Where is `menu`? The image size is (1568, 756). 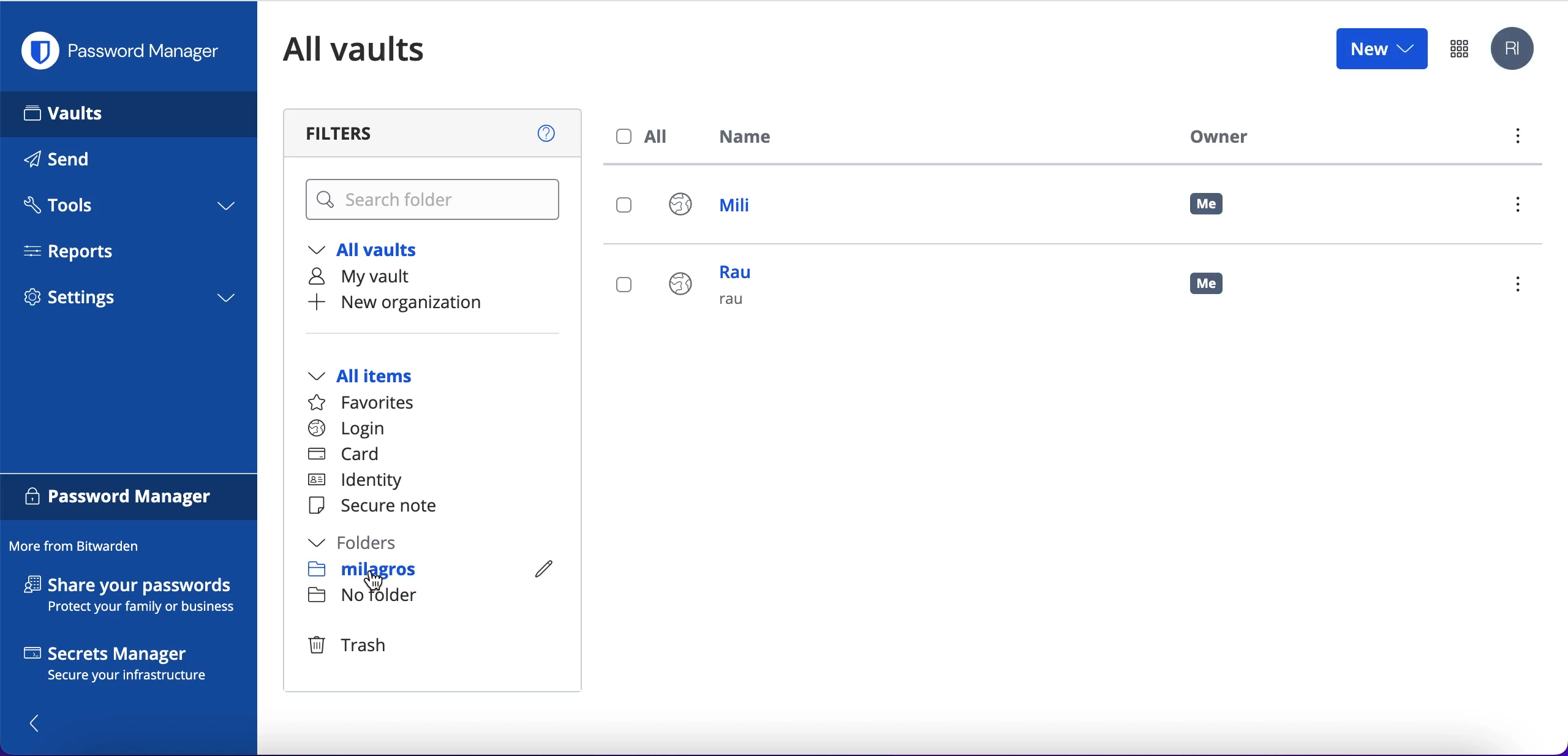
menu is located at coordinates (1523, 286).